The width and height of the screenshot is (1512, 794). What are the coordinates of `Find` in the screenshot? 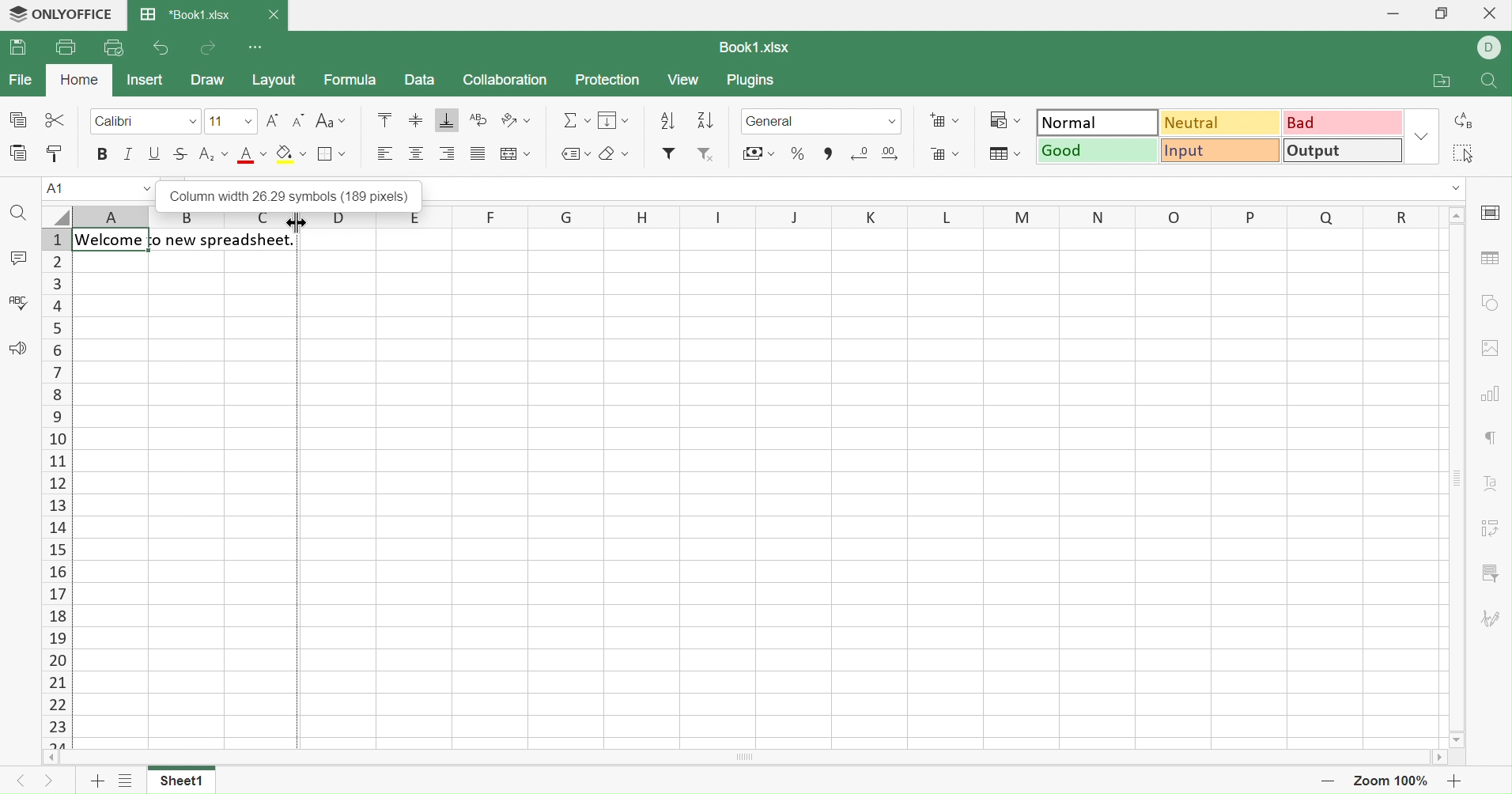 It's located at (1491, 83).